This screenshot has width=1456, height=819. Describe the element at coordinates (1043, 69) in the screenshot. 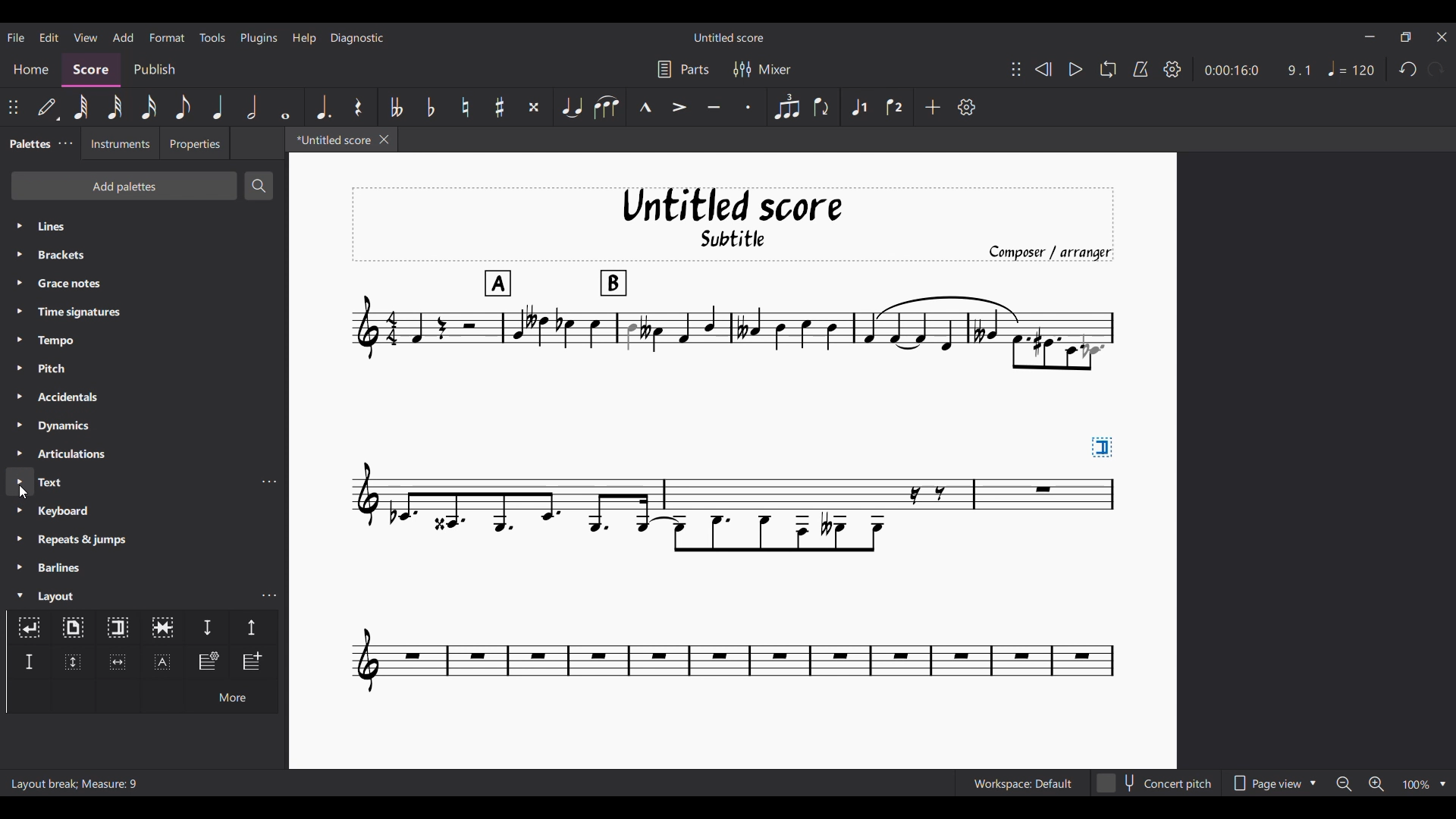

I see `Rewind` at that location.